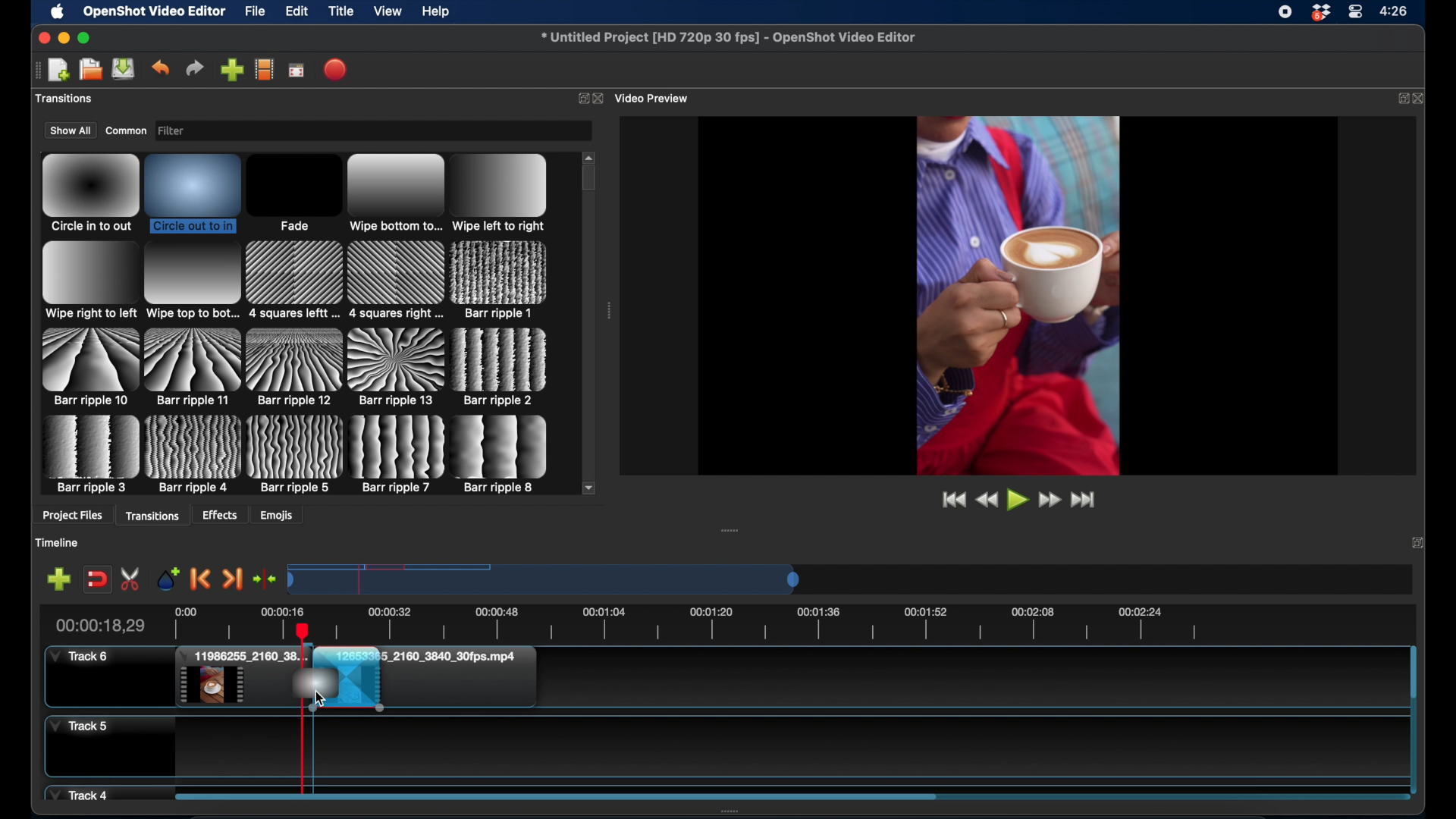 This screenshot has height=819, width=1456. Describe the element at coordinates (124, 69) in the screenshot. I see `save project` at that location.